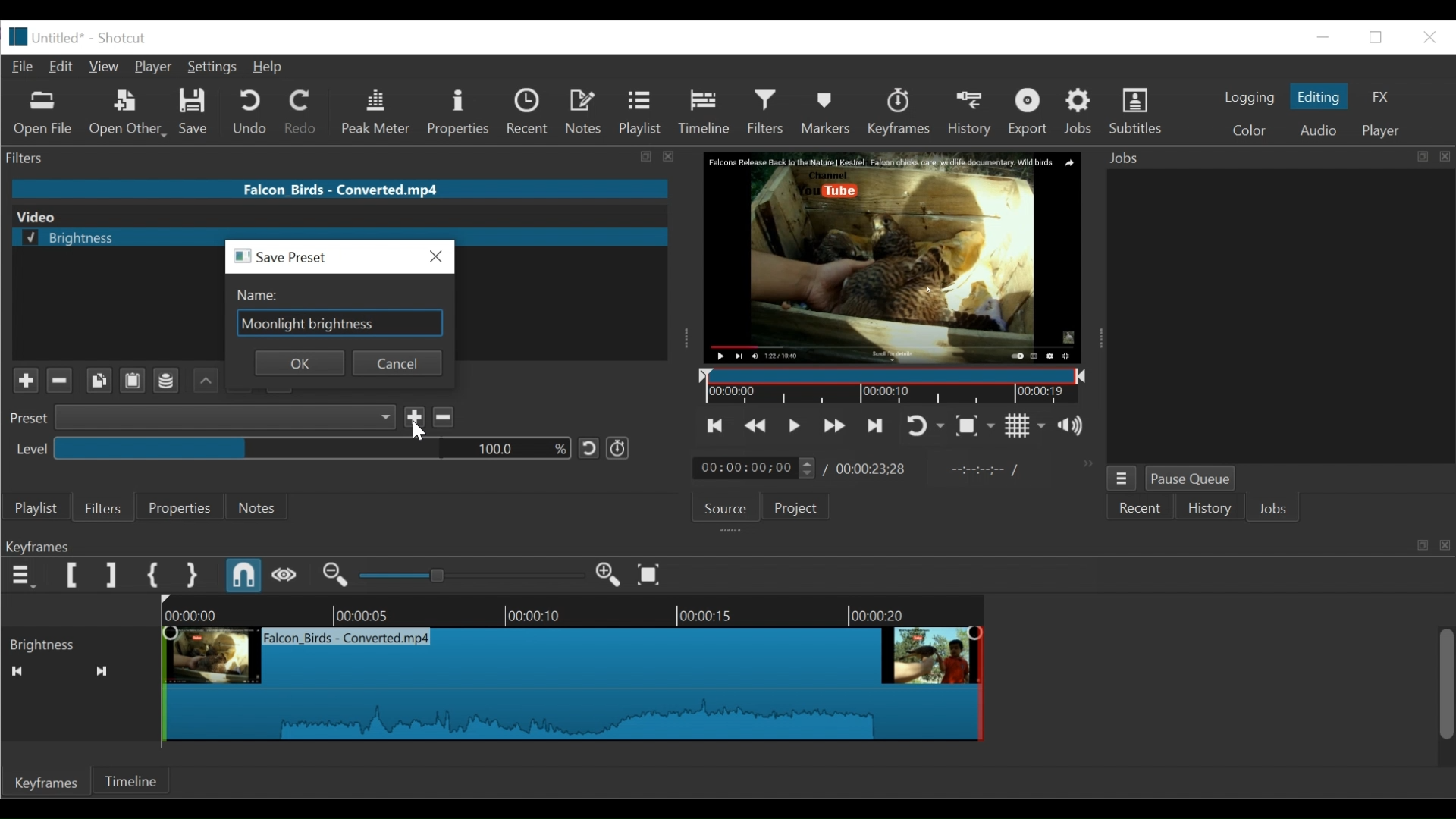  I want to click on Backward, so click(201, 381).